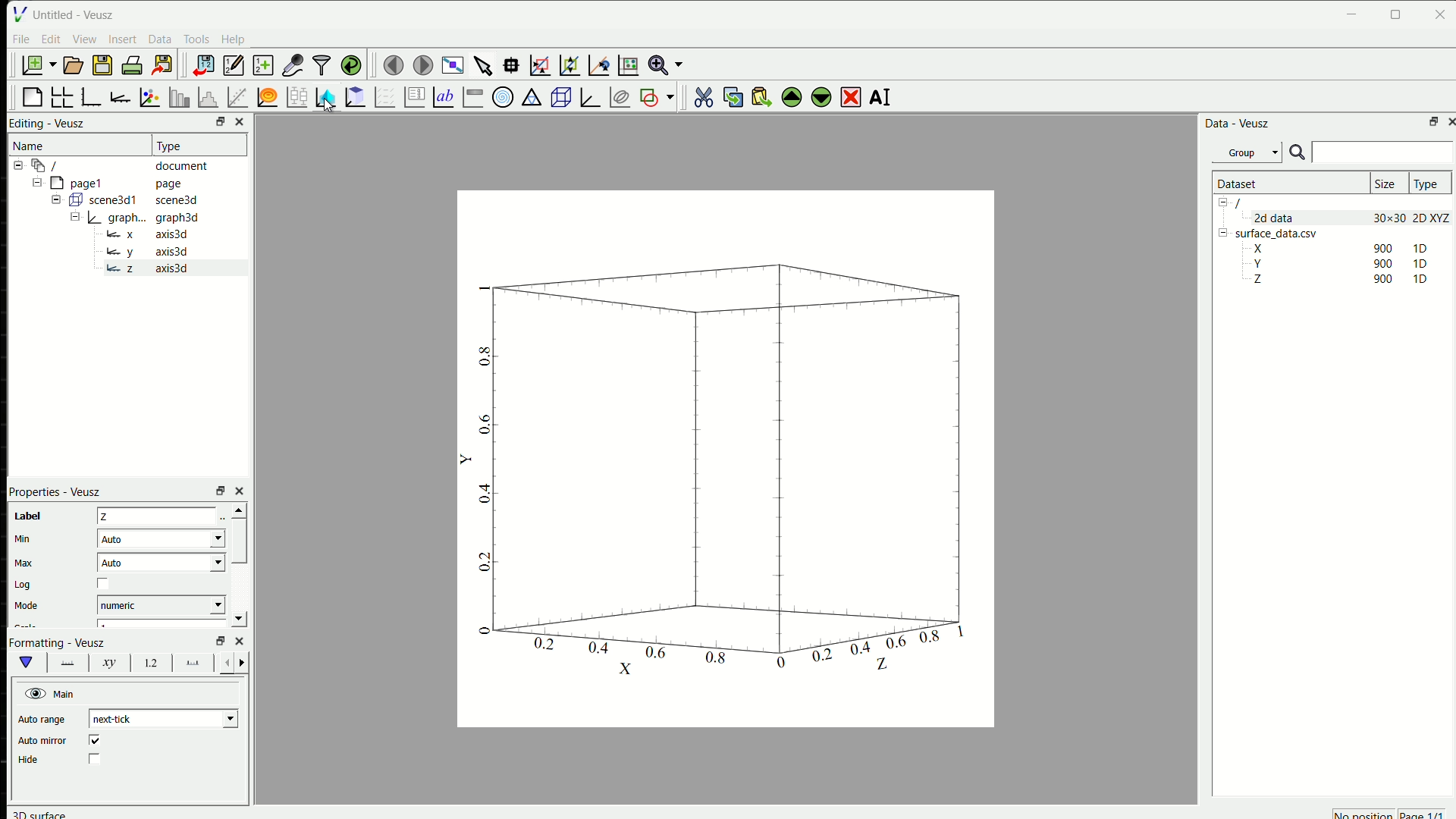 This screenshot has height=819, width=1456. What do you see at coordinates (22, 39) in the screenshot?
I see `File` at bounding box center [22, 39].